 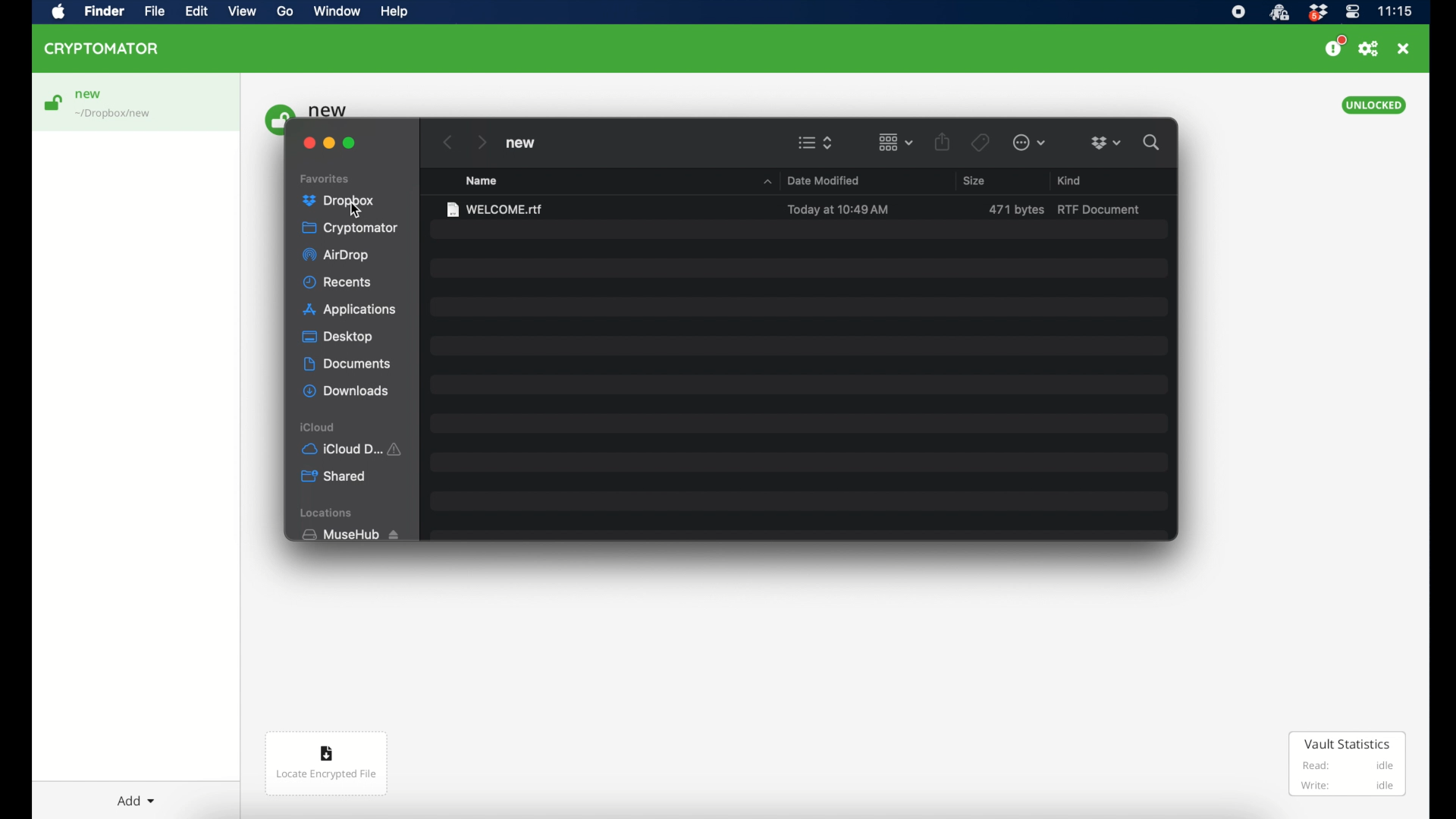 What do you see at coordinates (351, 227) in the screenshot?
I see `cryptomator` at bounding box center [351, 227].